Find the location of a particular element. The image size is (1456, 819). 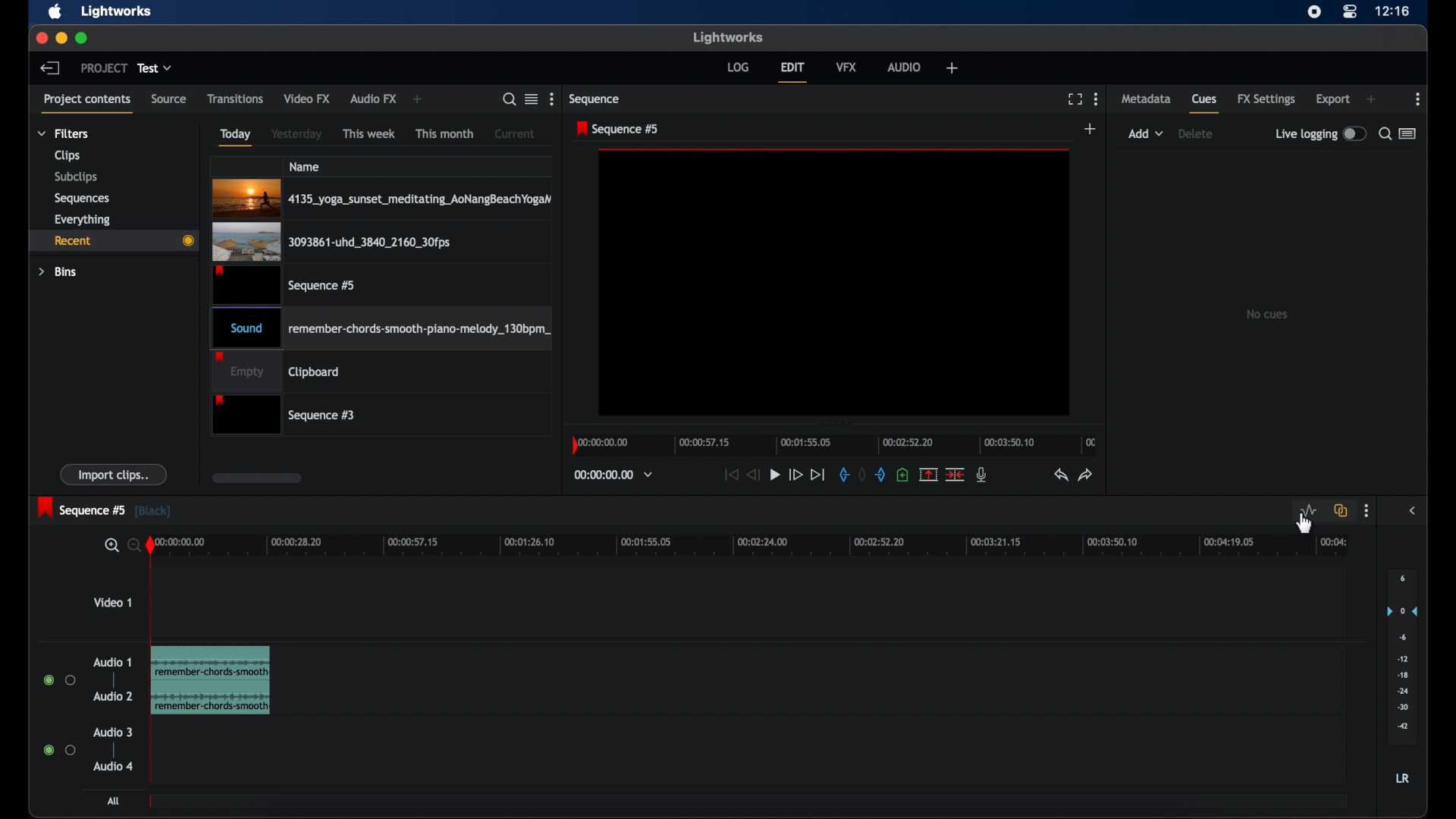

scroll box is located at coordinates (256, 478).